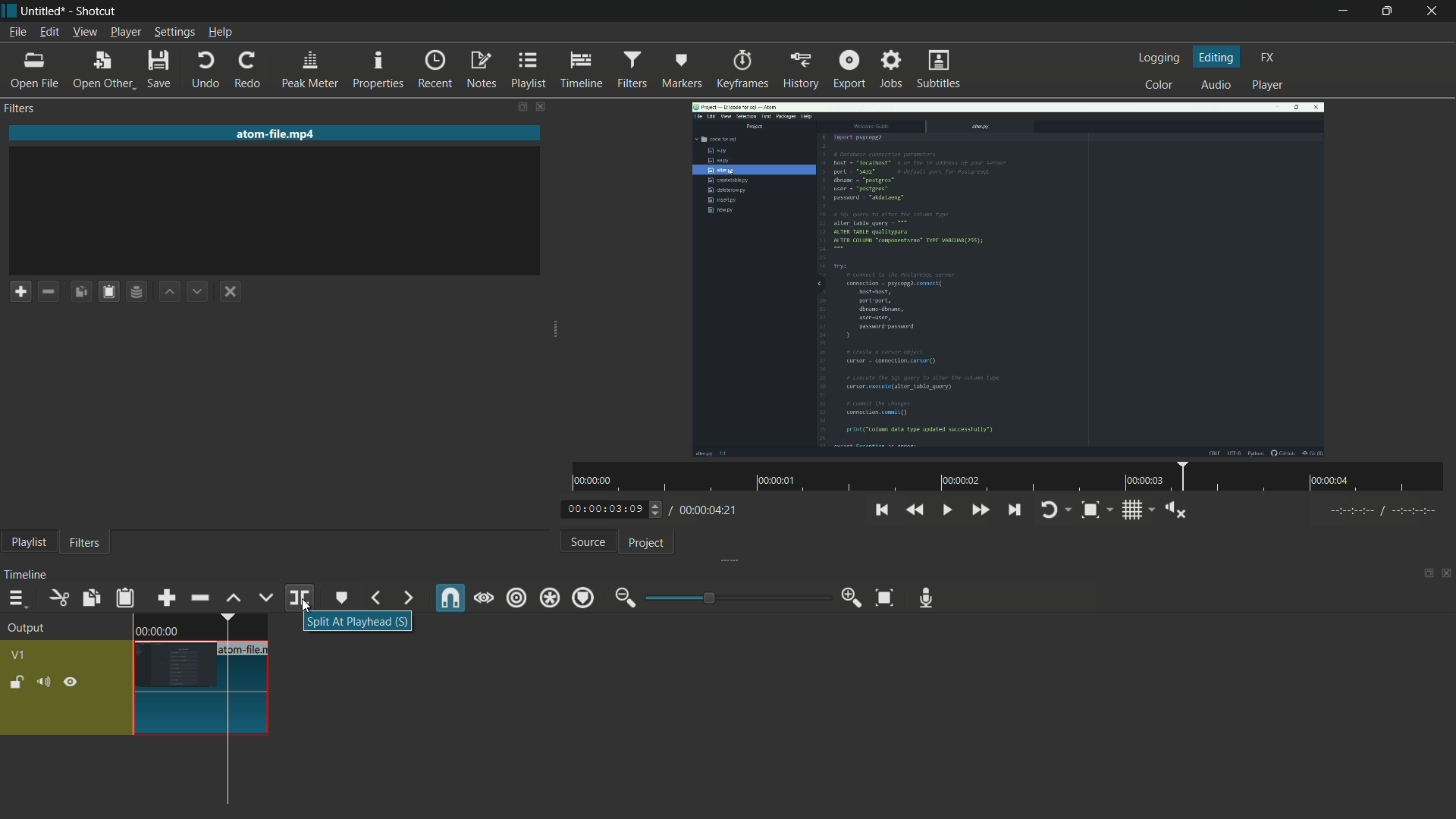  I want to click on help menu, so click(221, 33).